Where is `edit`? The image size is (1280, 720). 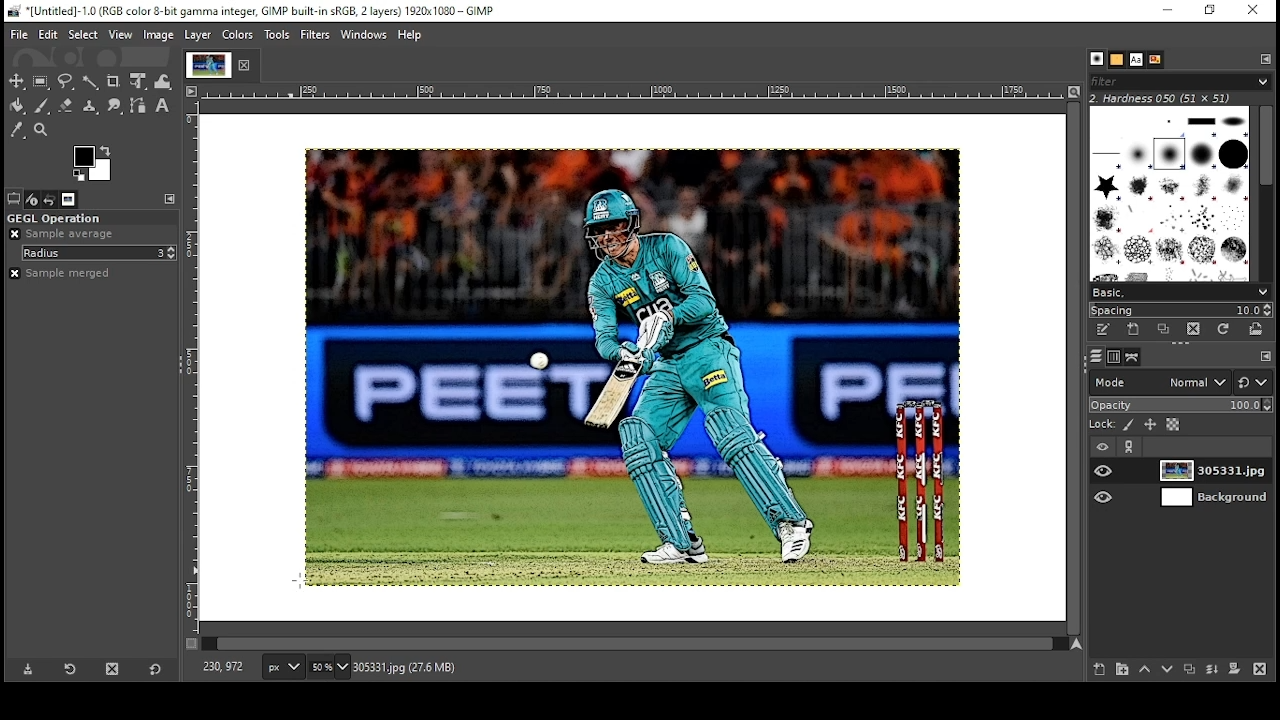
edit is located at coordinates (50, 35).